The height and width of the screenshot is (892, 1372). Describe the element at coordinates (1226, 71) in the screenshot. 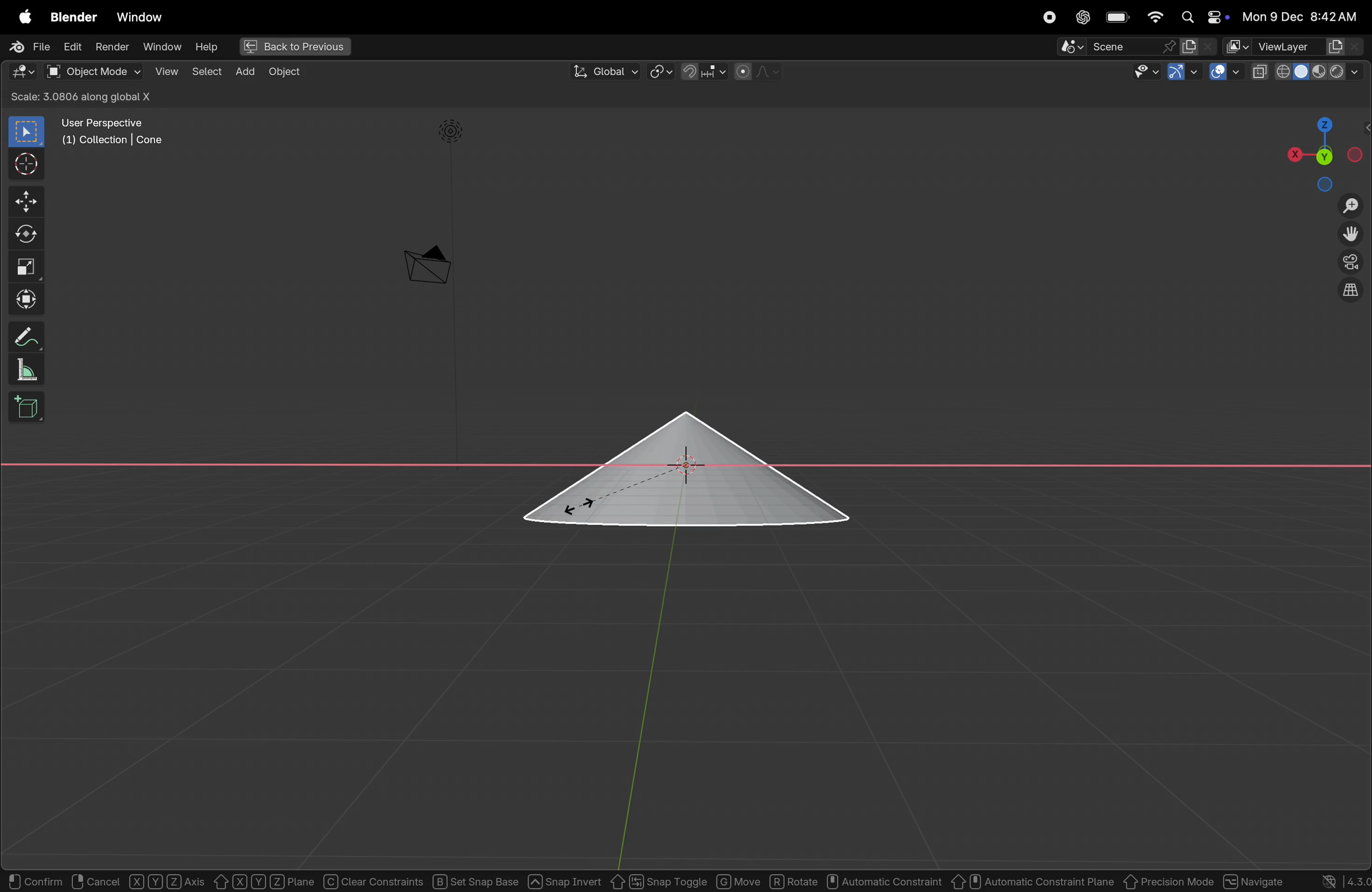

I see `show overlays` at that location.